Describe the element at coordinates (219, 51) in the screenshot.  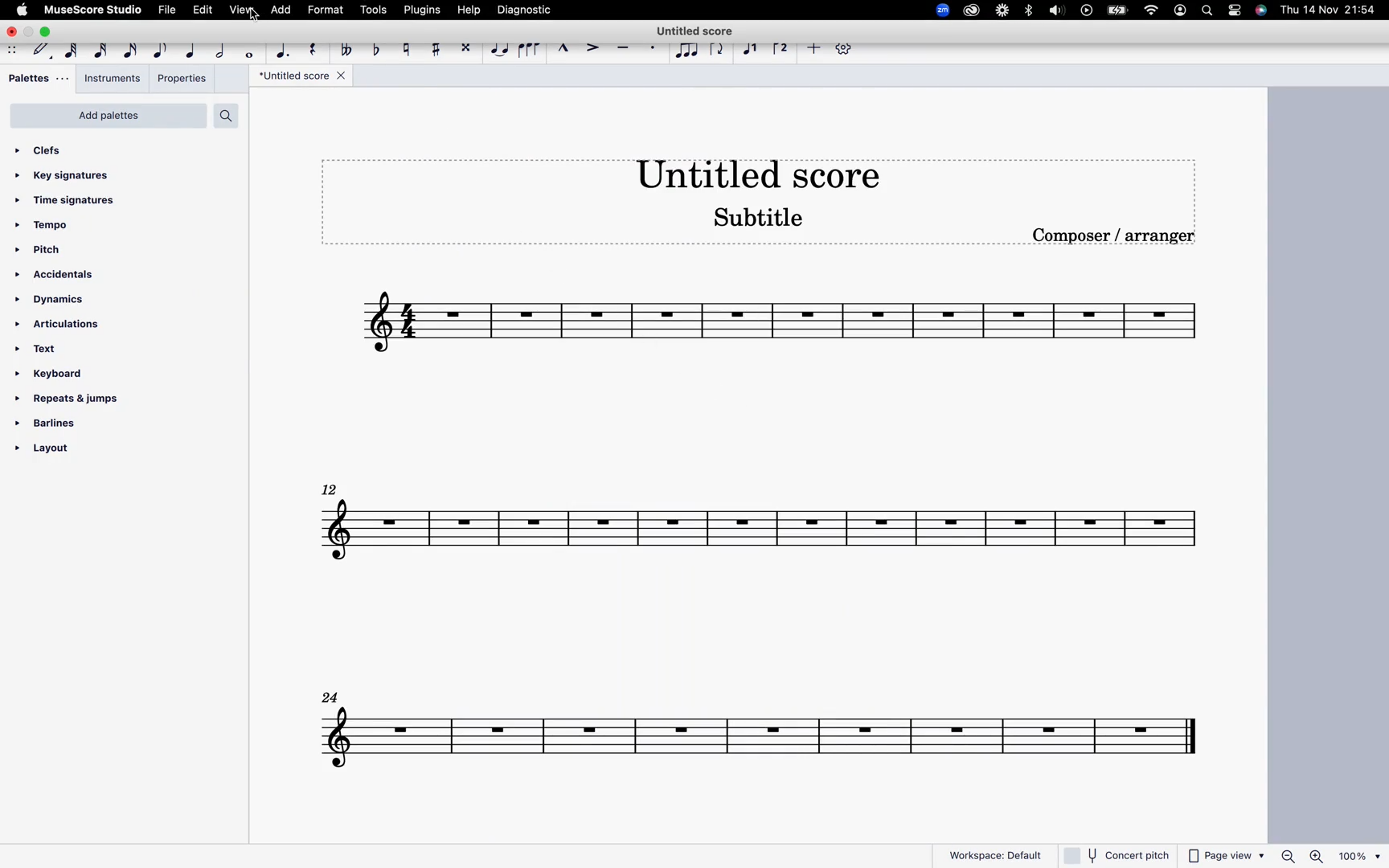
I see `half note` at that location.